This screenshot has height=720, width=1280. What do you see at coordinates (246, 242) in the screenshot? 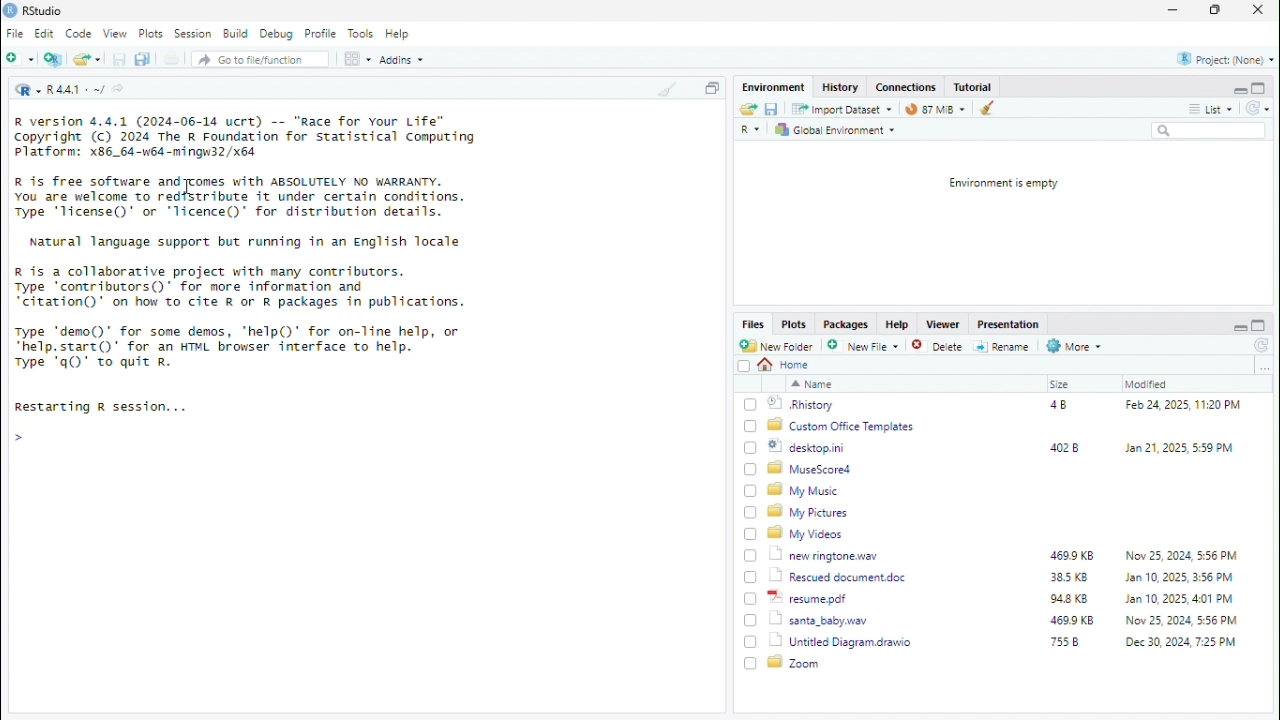
I see `Natural language support but running in an English locale` at bounding box center [246, 242].